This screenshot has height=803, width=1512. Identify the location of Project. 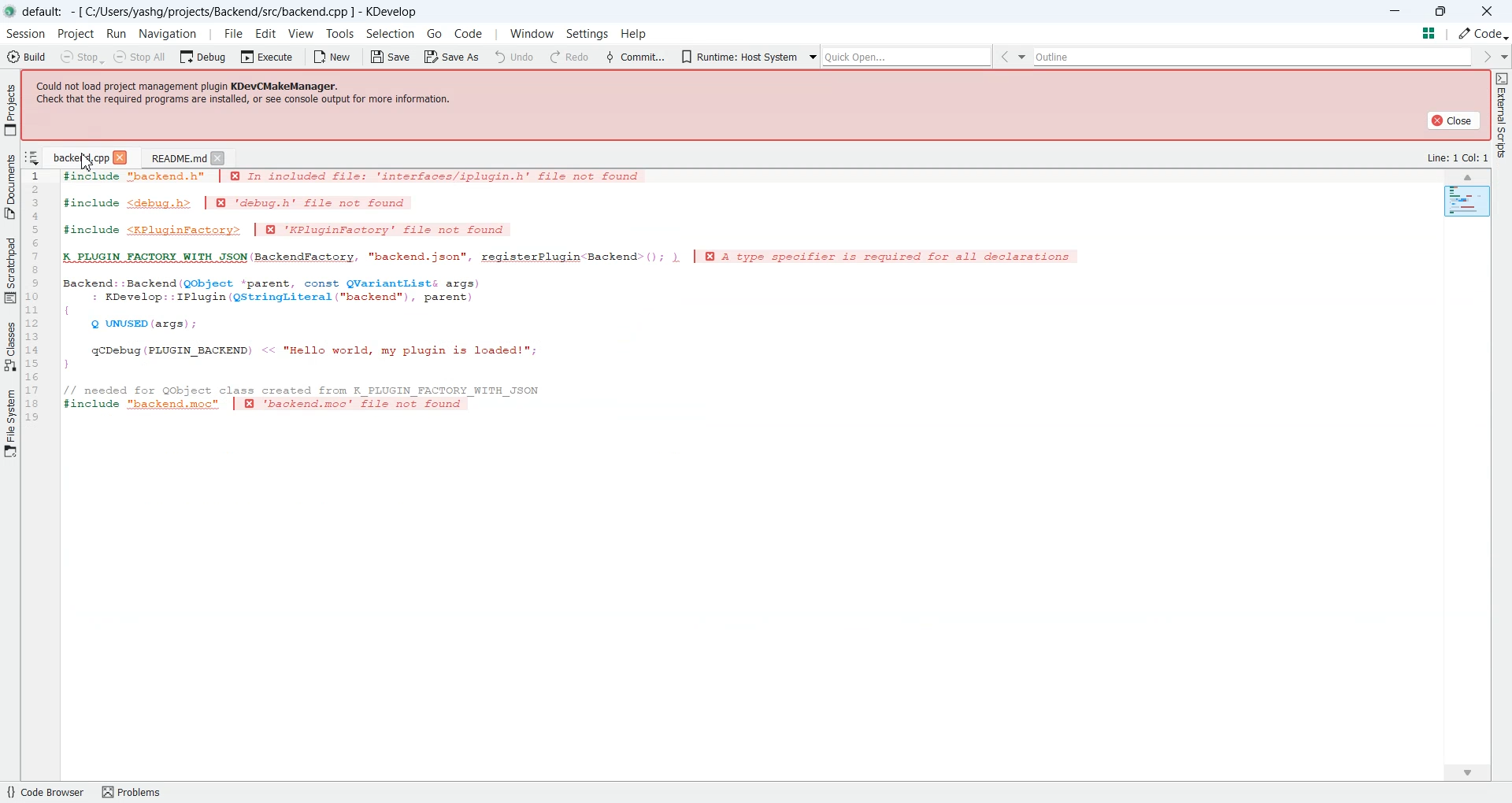
(76, 34).